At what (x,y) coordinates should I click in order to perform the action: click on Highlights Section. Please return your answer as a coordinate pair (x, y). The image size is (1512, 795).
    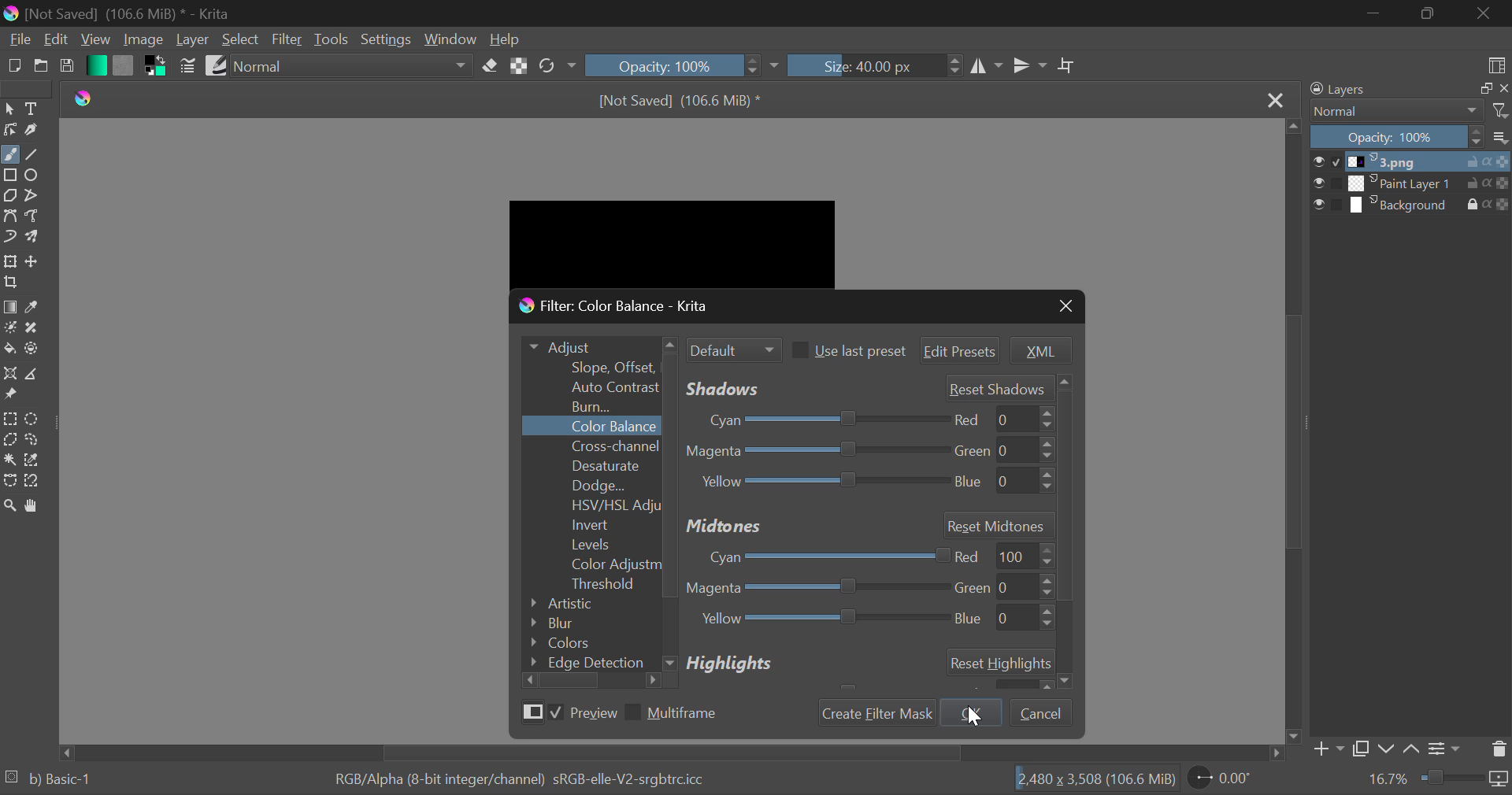
    Looking at the image, I should click on (864, 666).